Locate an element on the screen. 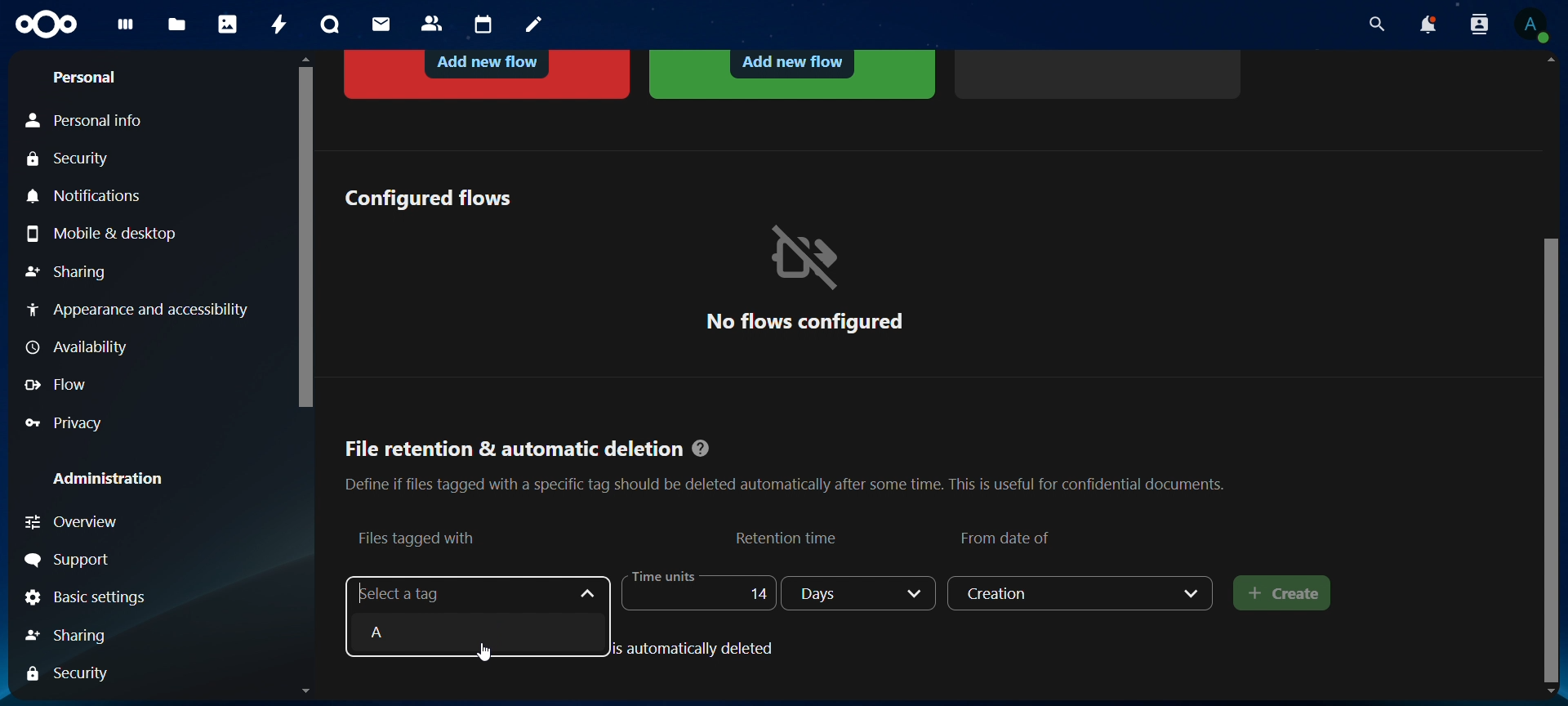 This screenshot has height=706, width=1568. retention time is located at coordinates (789, 537).